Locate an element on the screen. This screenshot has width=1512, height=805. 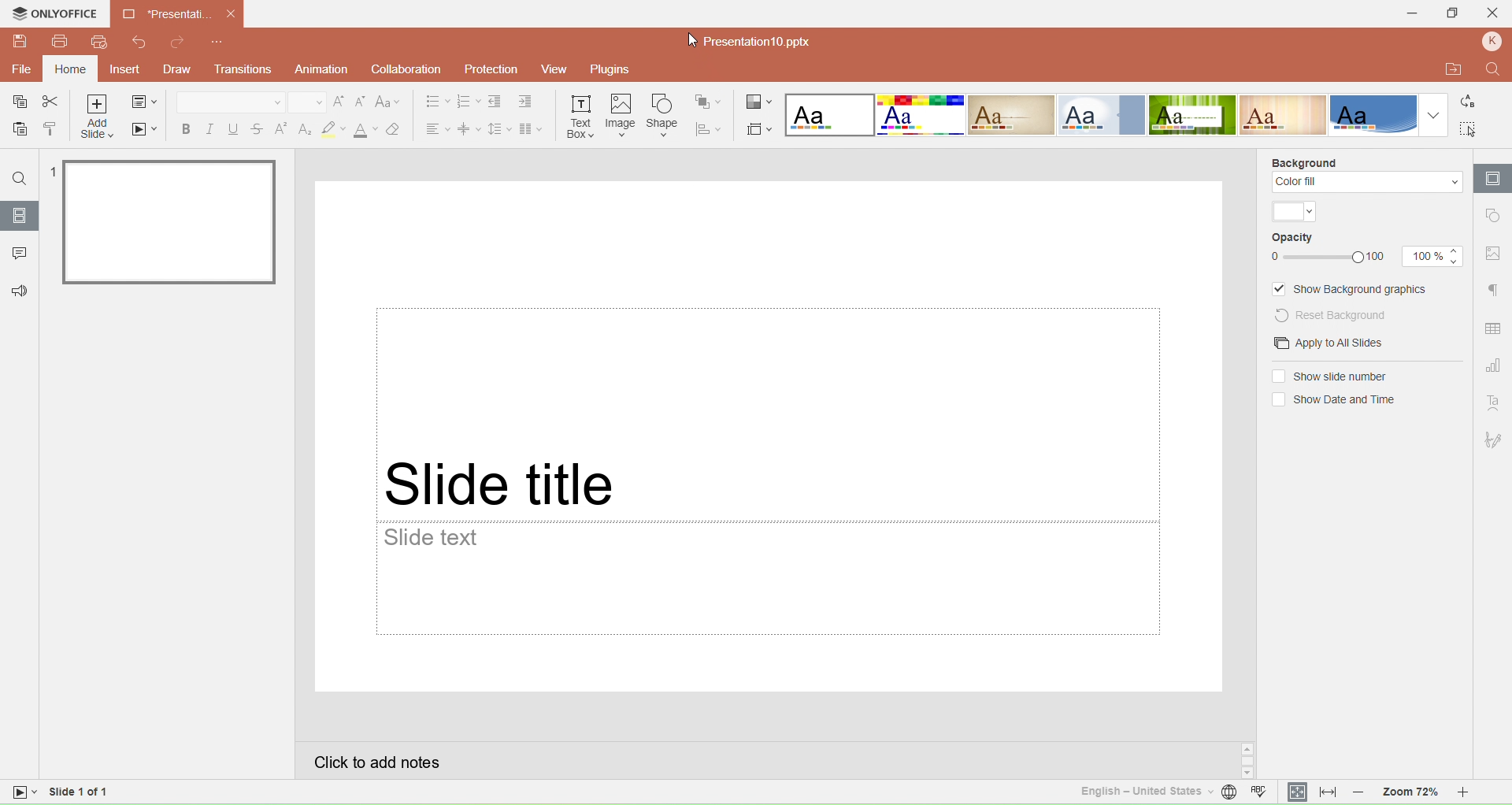
Draw is located at coordinates (182, 69).